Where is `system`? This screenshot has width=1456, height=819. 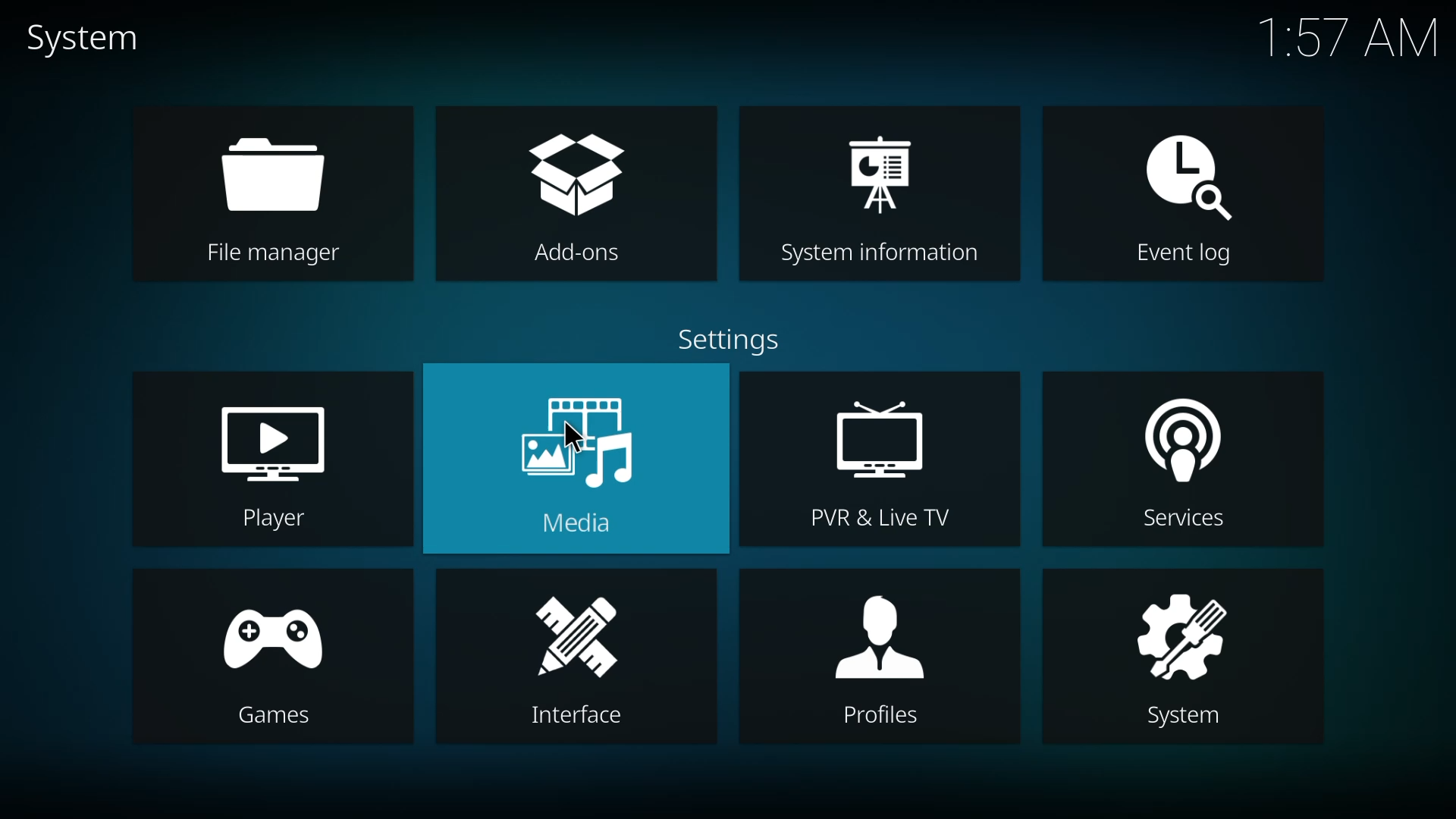
system is located at coordinates (1174, 657).